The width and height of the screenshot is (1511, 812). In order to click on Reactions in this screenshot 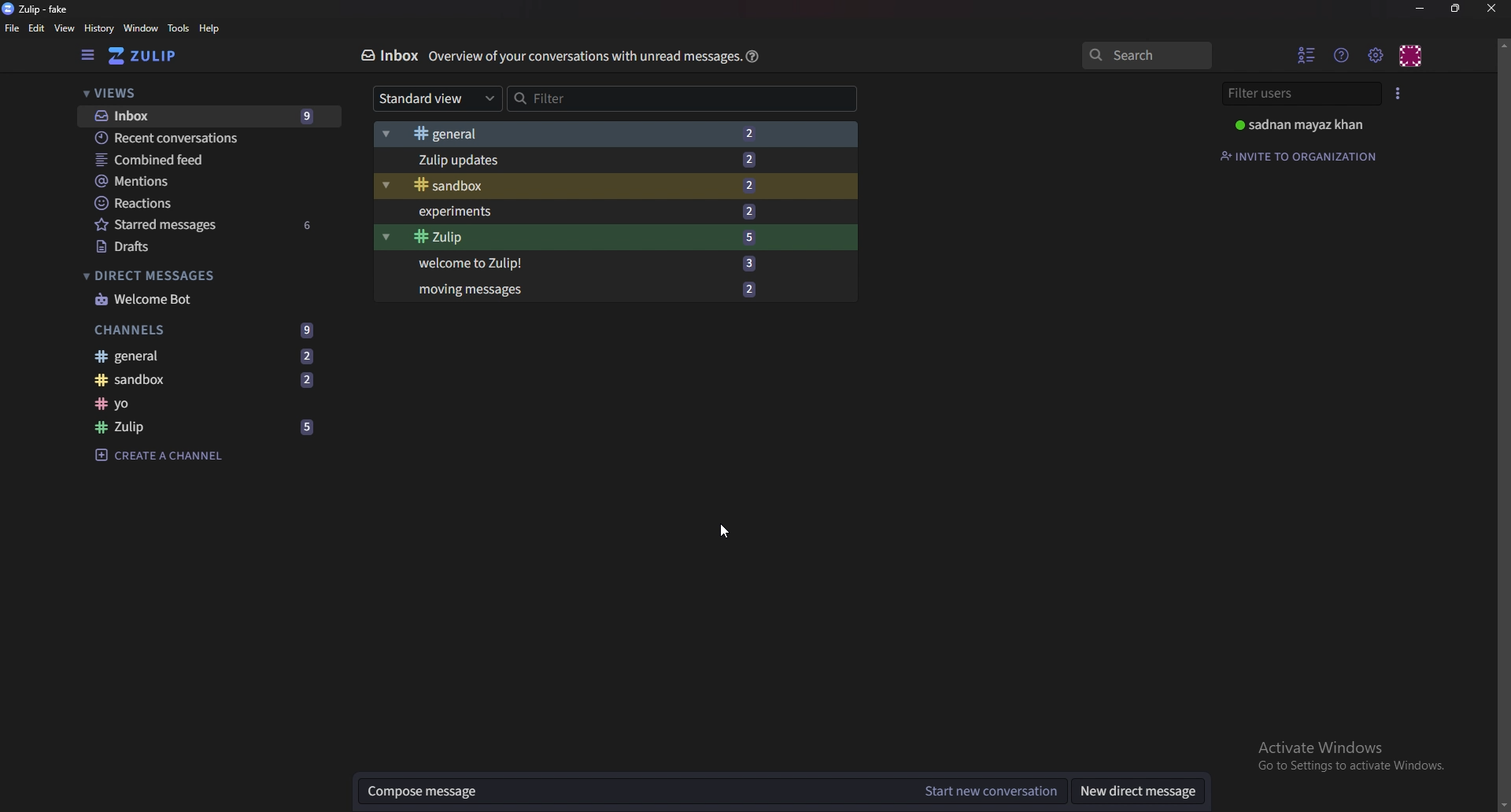, I will do `click(193, 203)`.